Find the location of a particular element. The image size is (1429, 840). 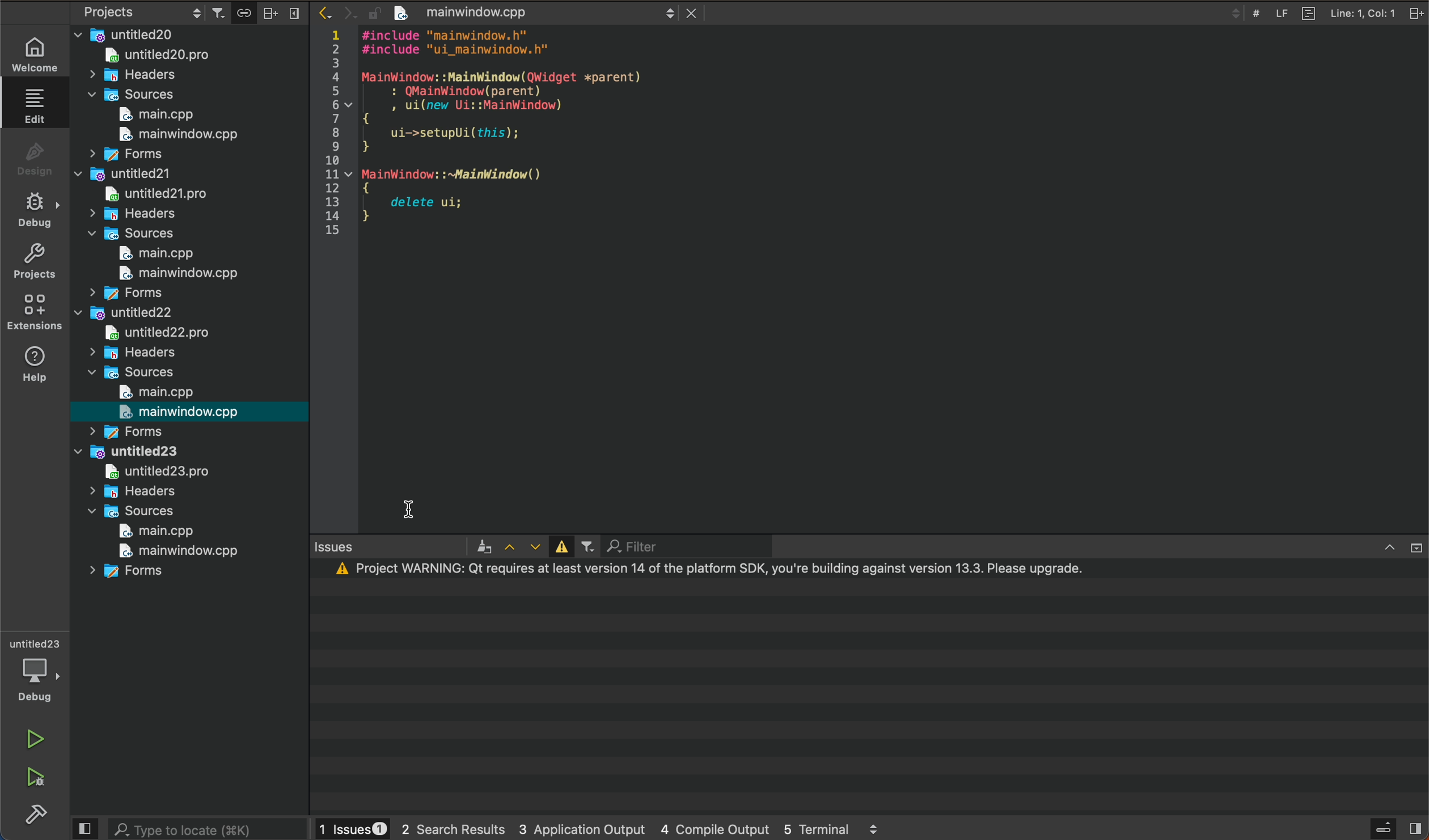

untitled23 pro is located at coordinates (147, 473).